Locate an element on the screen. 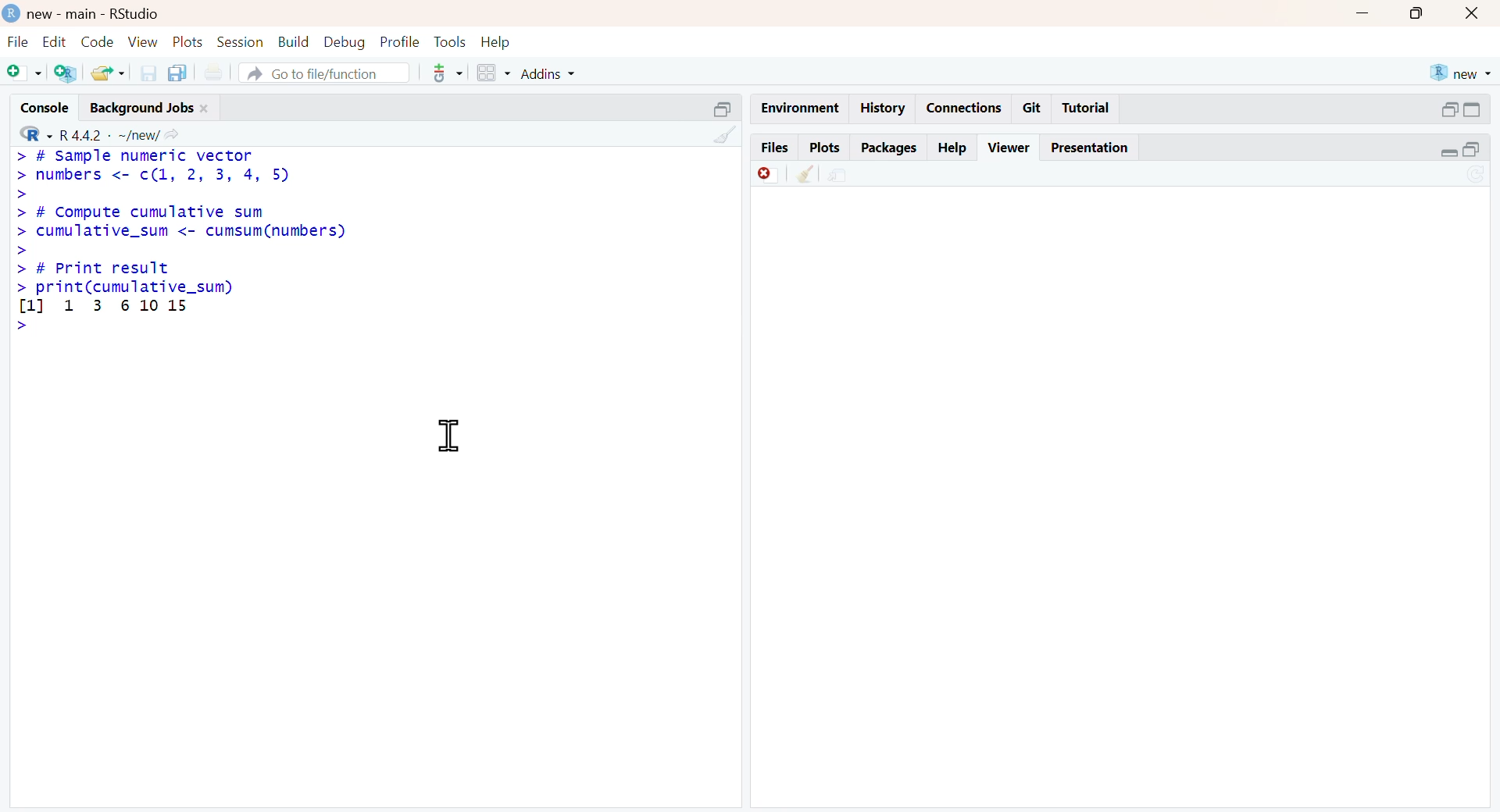 This screenshot has height=812, width=1500. build is located at coordinates (295, 41).